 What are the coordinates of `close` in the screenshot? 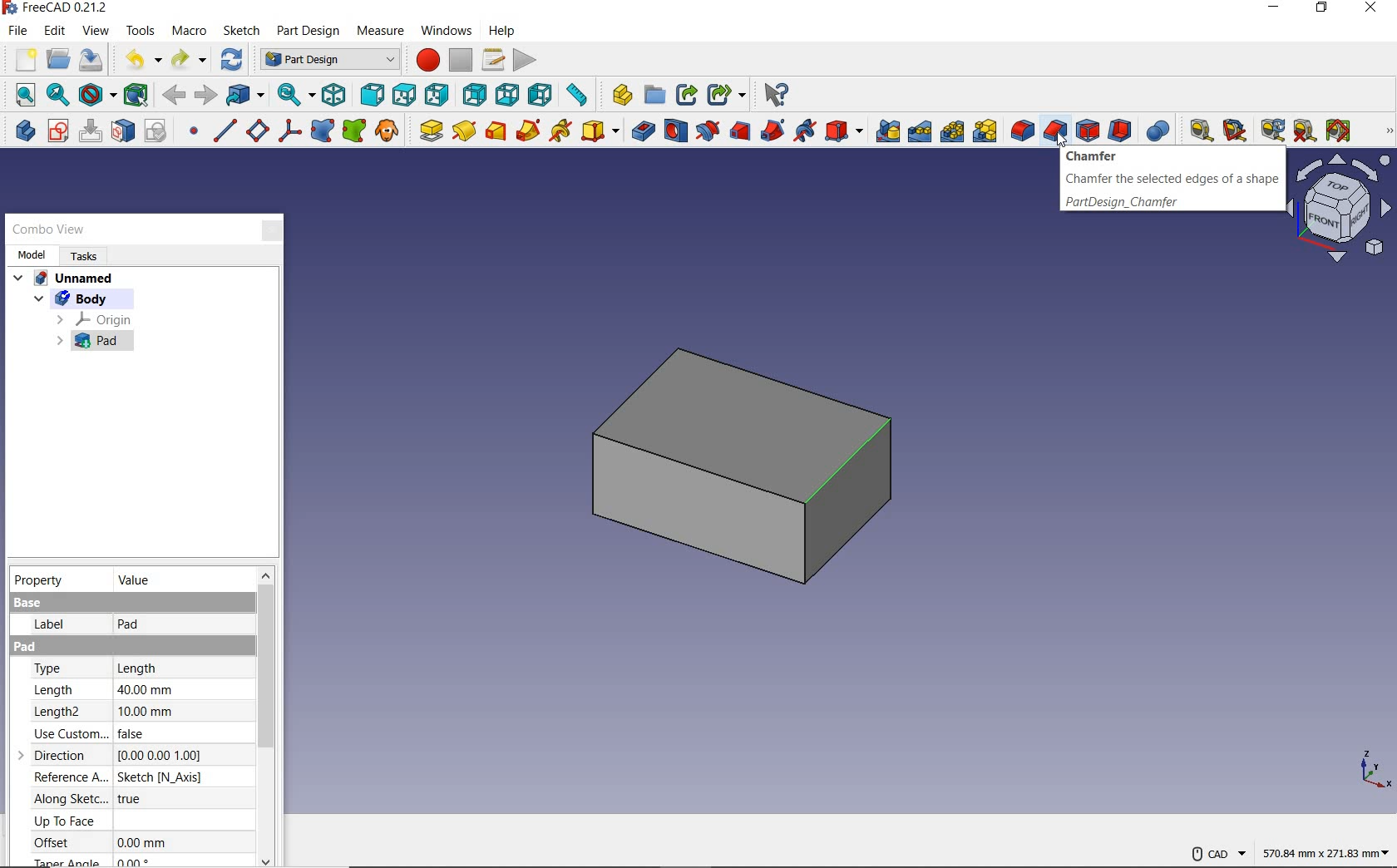 It's located at (267, 230).